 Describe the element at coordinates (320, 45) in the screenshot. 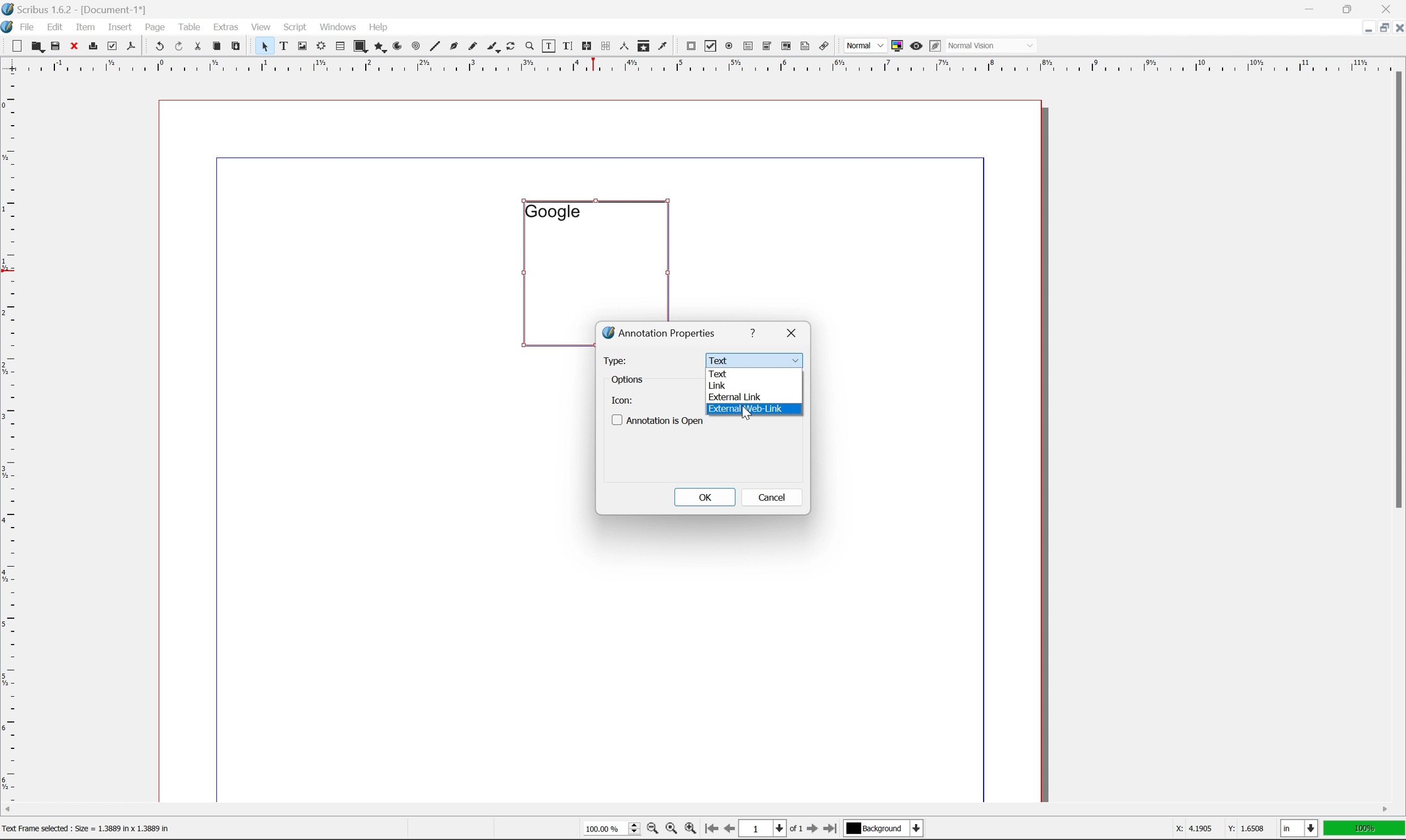

I see `render frame` at that location.